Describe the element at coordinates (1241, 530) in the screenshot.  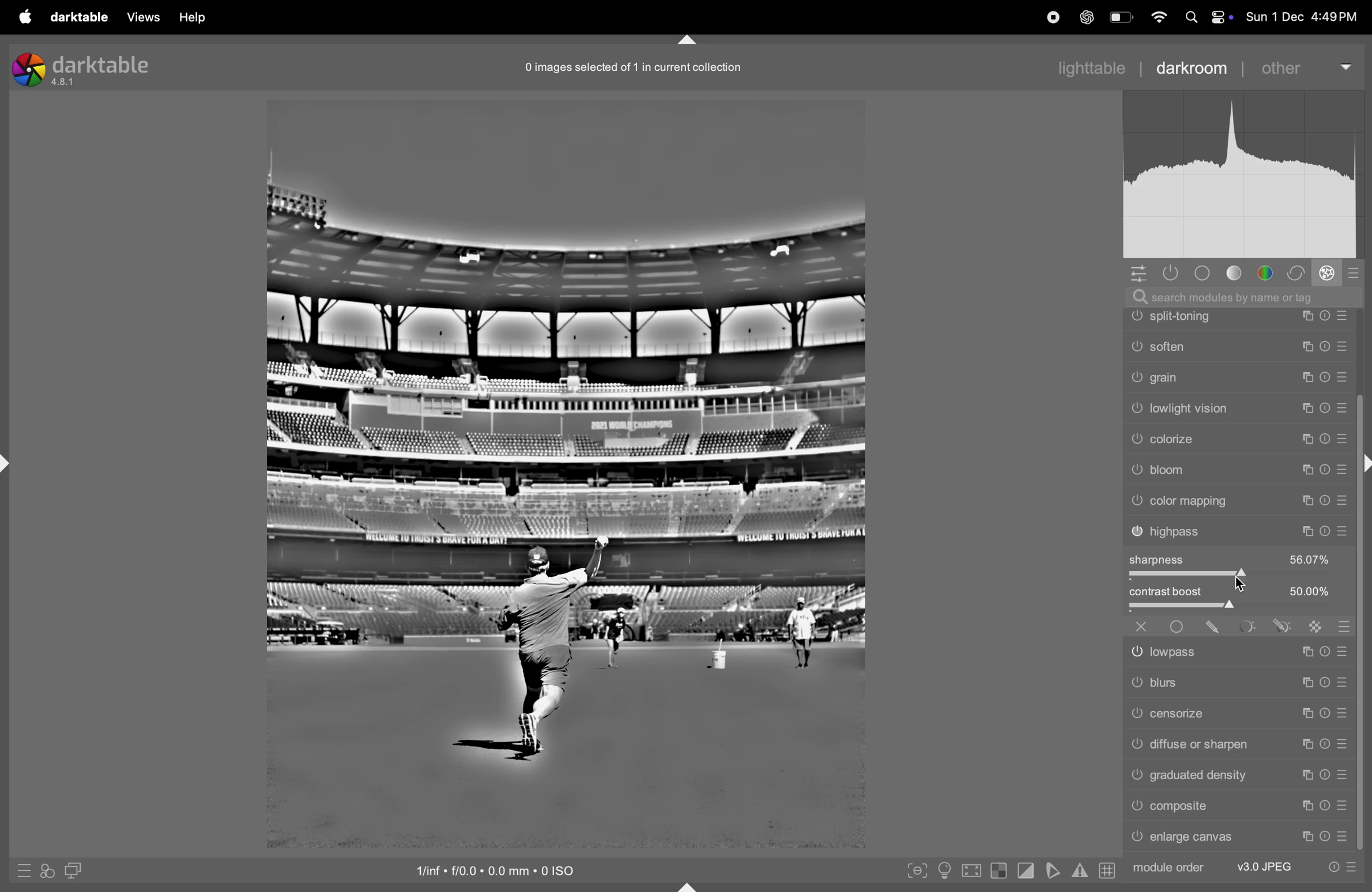
I see `colorize` at that location.